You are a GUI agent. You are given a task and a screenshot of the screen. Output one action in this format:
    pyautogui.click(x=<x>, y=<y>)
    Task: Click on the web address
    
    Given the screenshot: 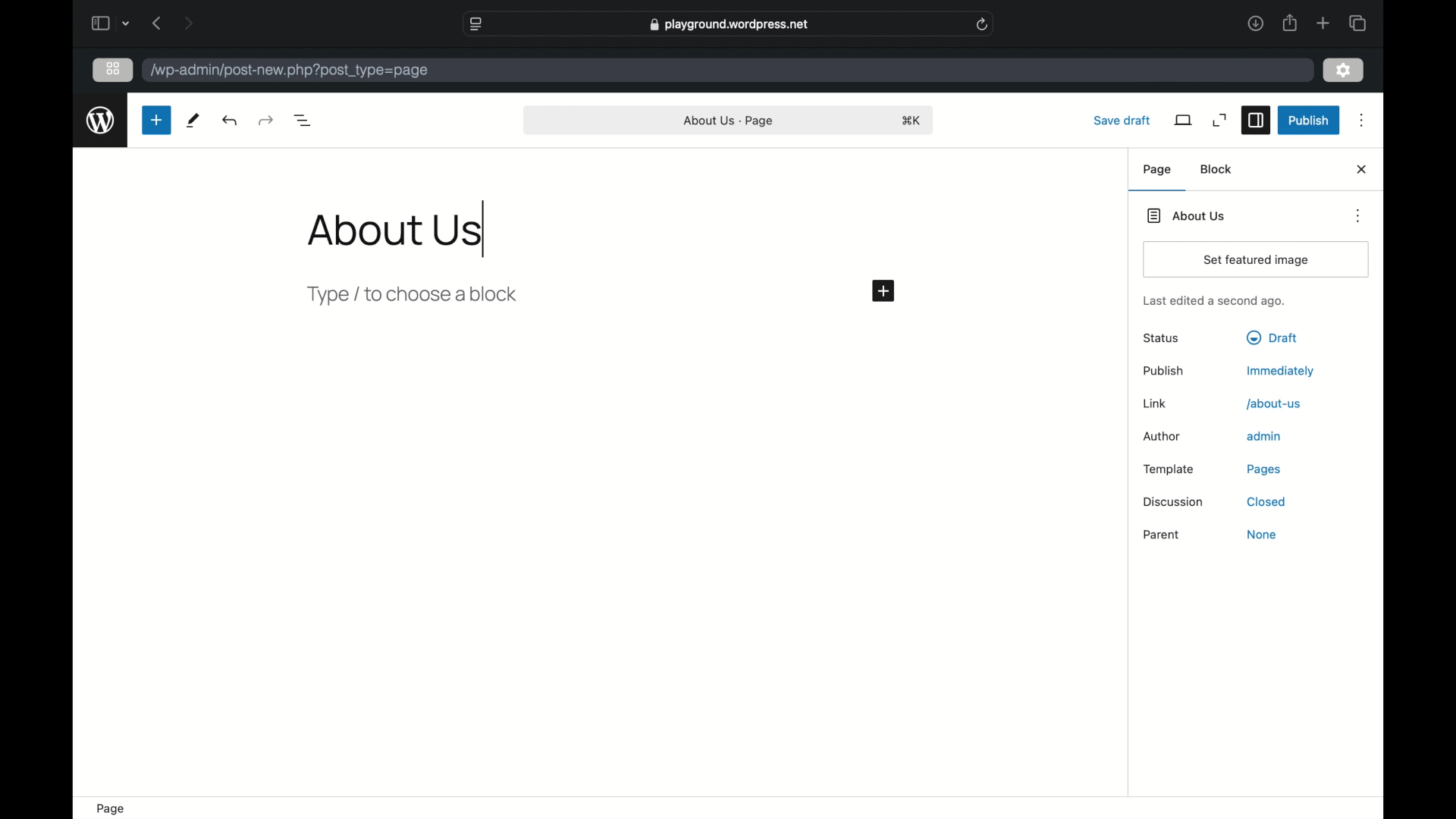 What is the action you would take?
    pyautogui.click(x=730, y=24)
    